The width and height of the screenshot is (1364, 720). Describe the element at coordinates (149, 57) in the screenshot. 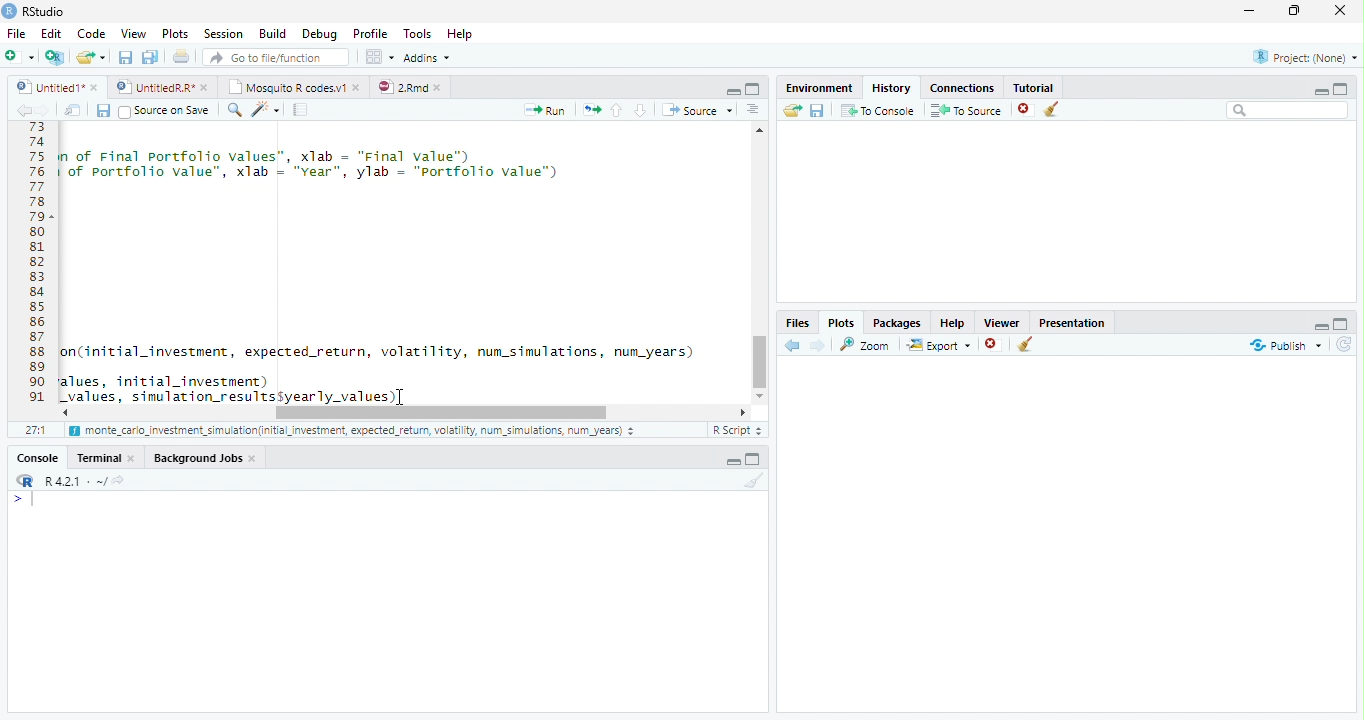

I see `Save all open files` at that location.